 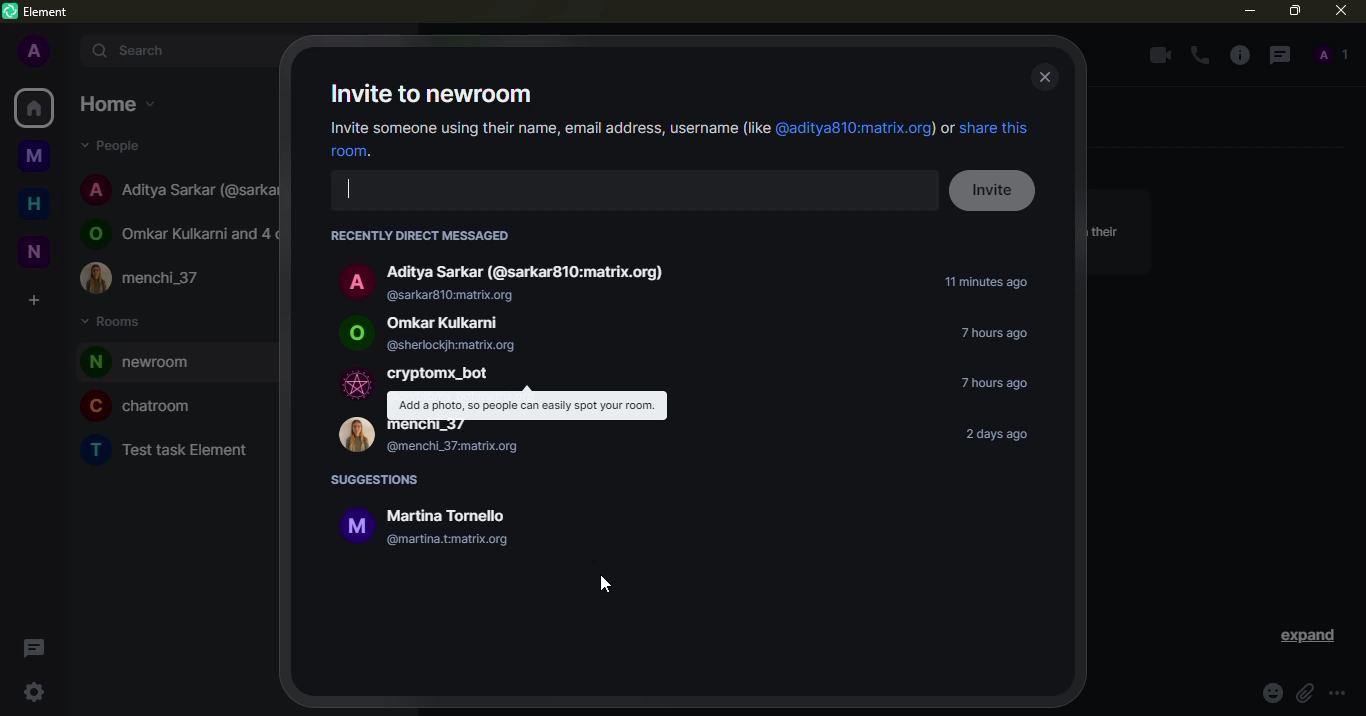 What do you see at coordinates (1303, 694) in the screenshot?
I see `attach` at bounding box center [1303, 694].